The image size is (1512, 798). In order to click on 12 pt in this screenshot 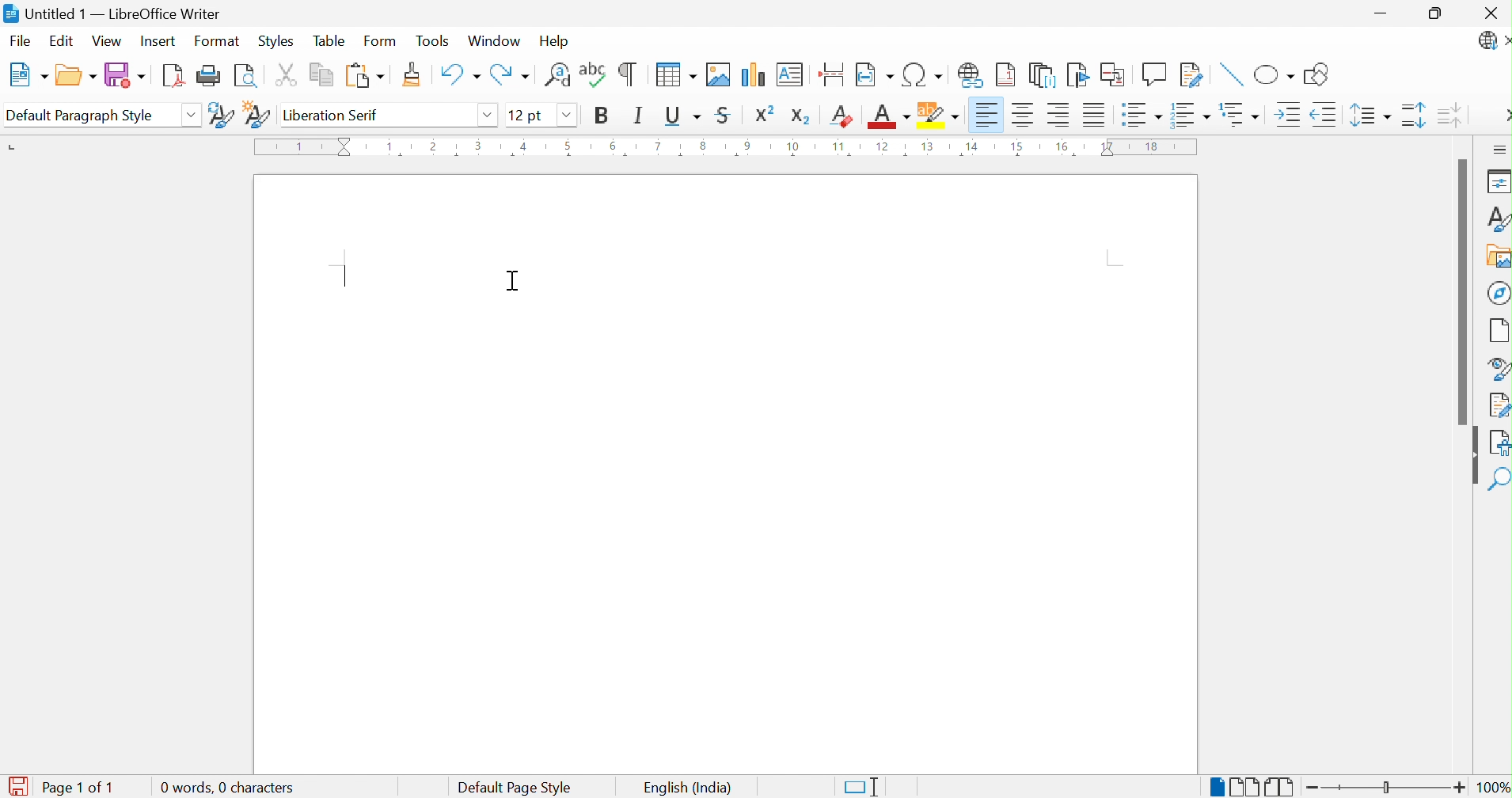, I will do `click(527, 113)`.